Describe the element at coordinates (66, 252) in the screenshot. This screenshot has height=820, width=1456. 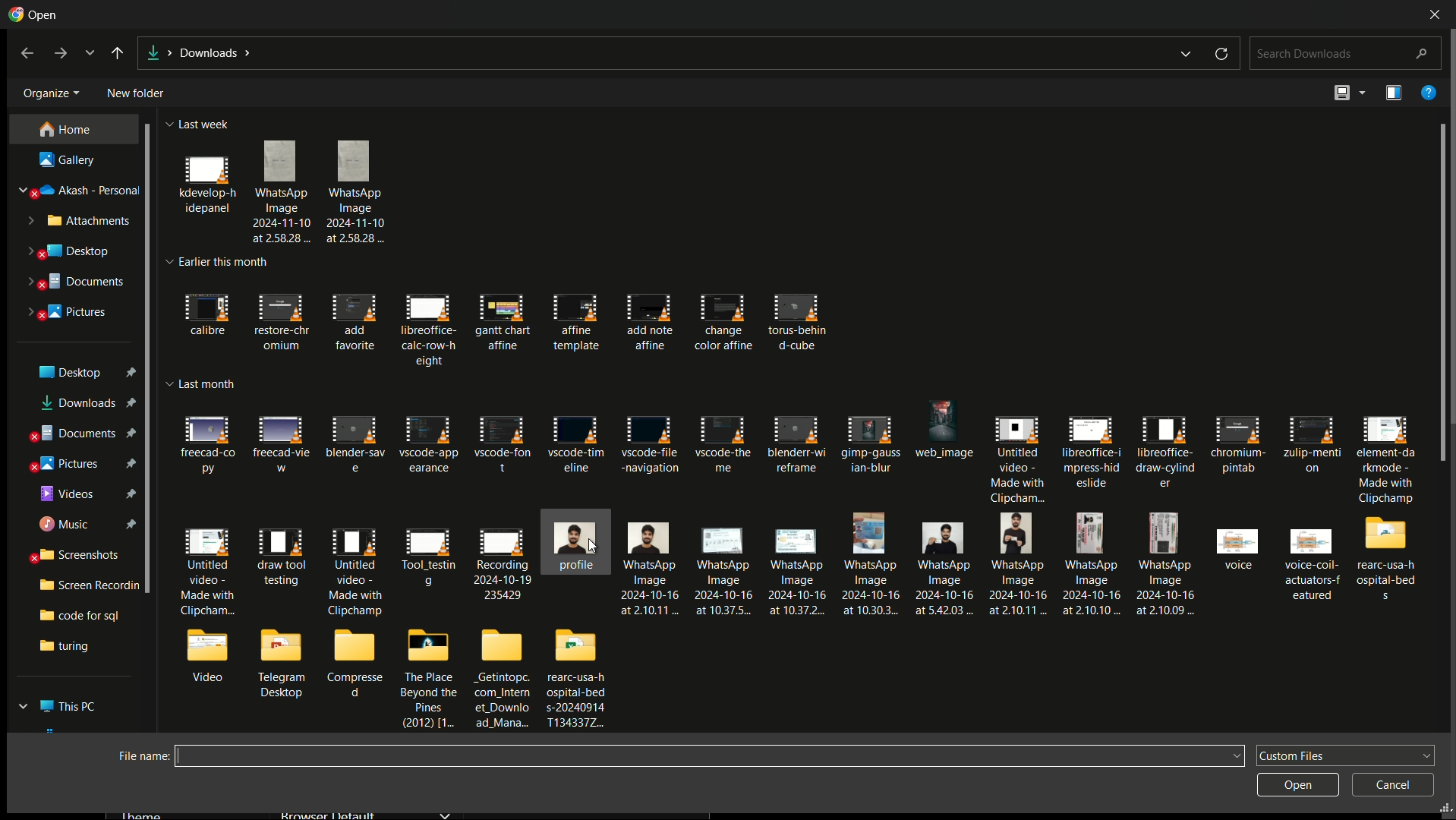
I see `desktop` at that location.